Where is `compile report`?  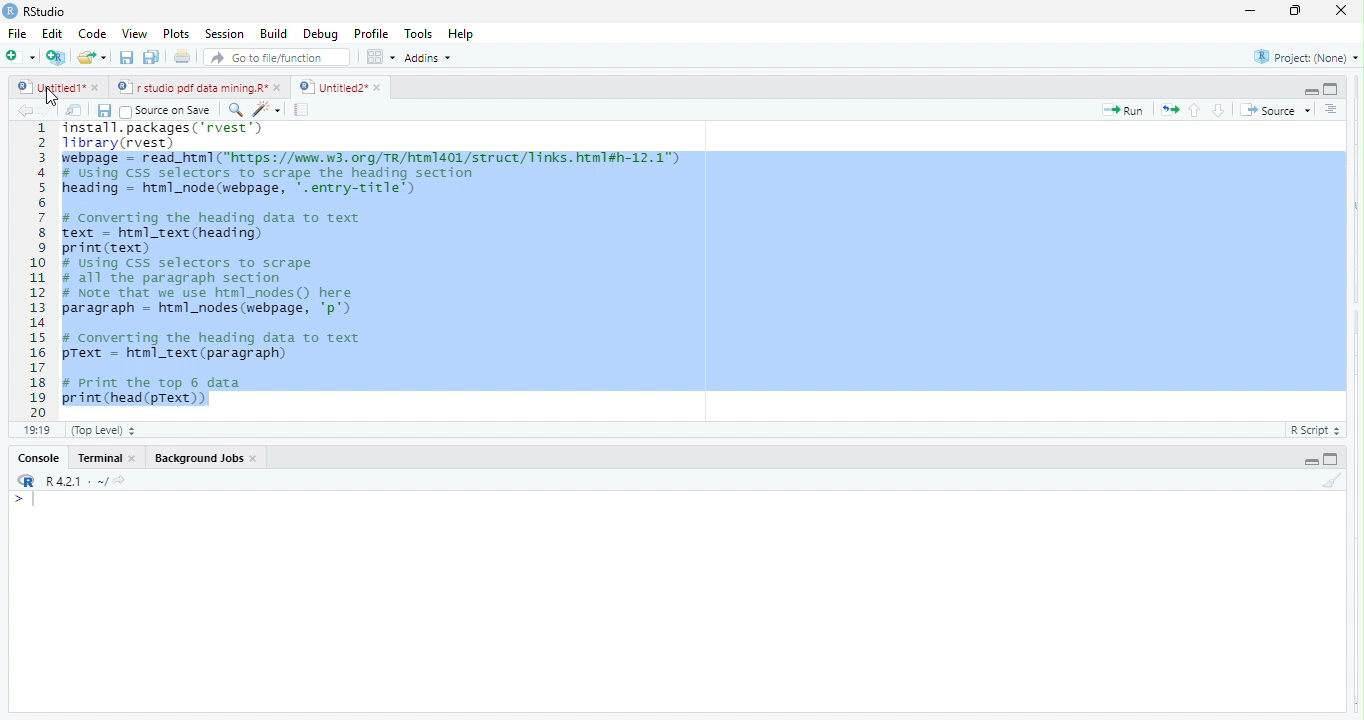
compile report is located at coordinates (303, 111).